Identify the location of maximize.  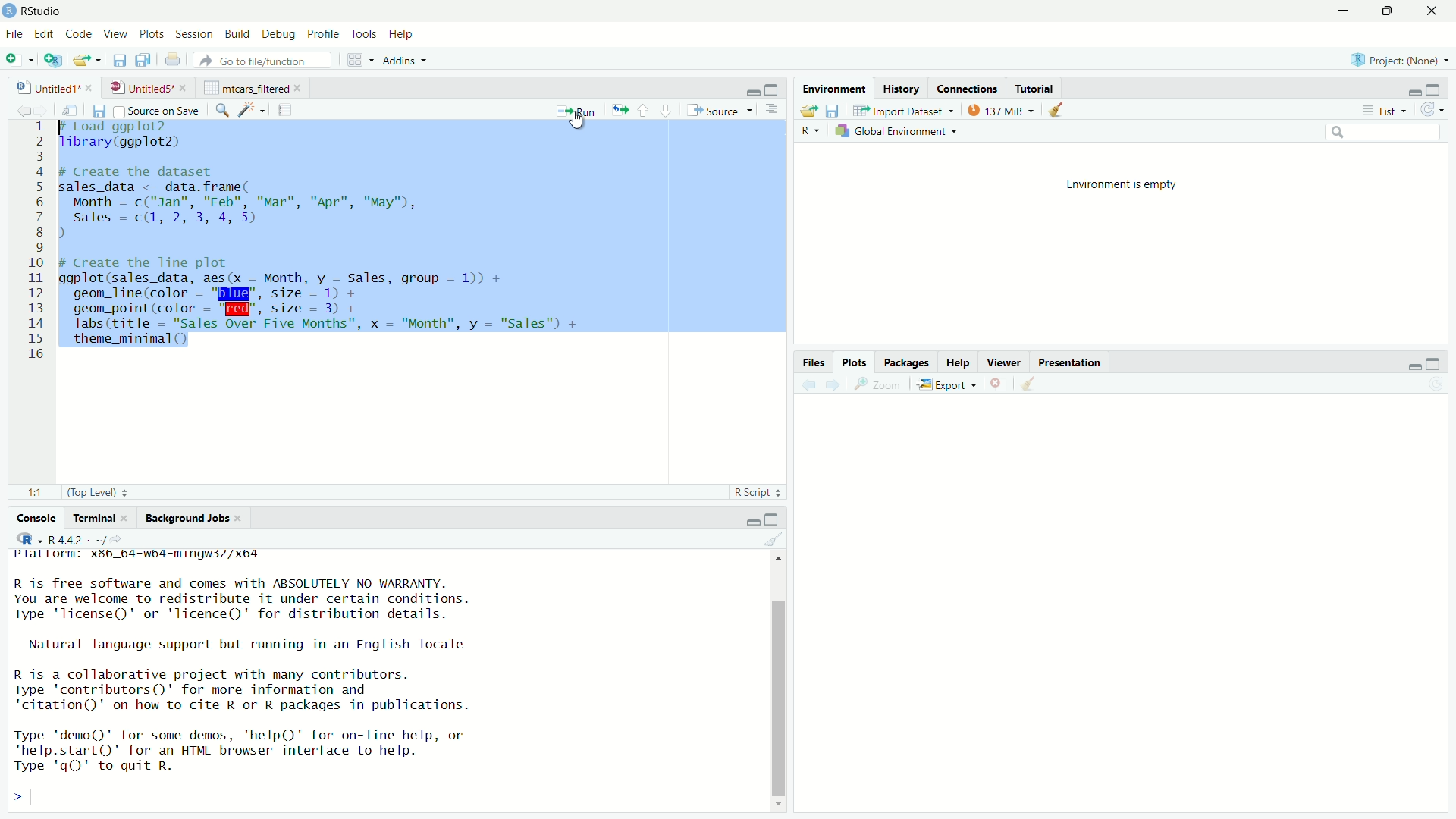
(1432, 365).